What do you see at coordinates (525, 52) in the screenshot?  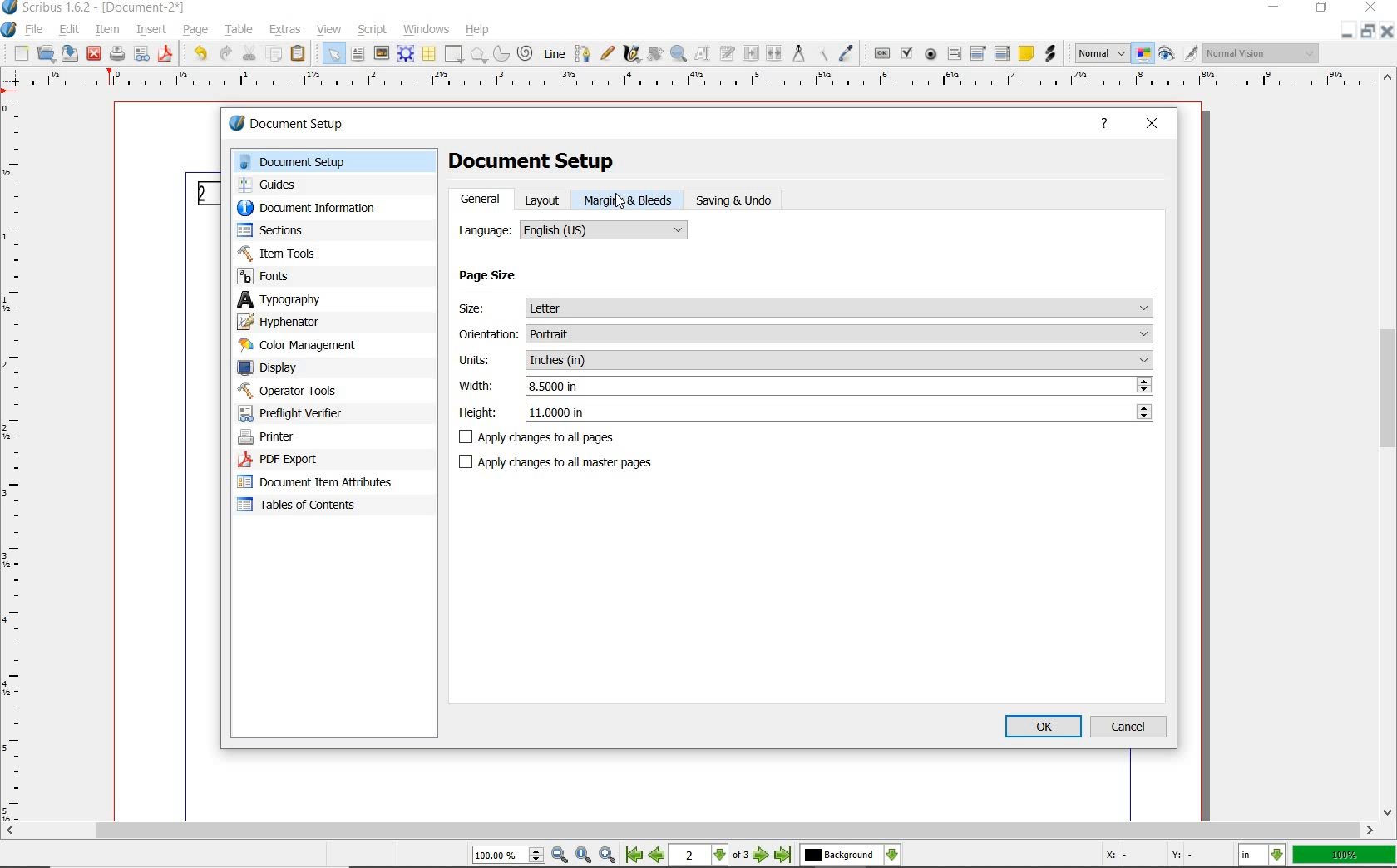 I see `spiral` at bounding box center [525, 52].